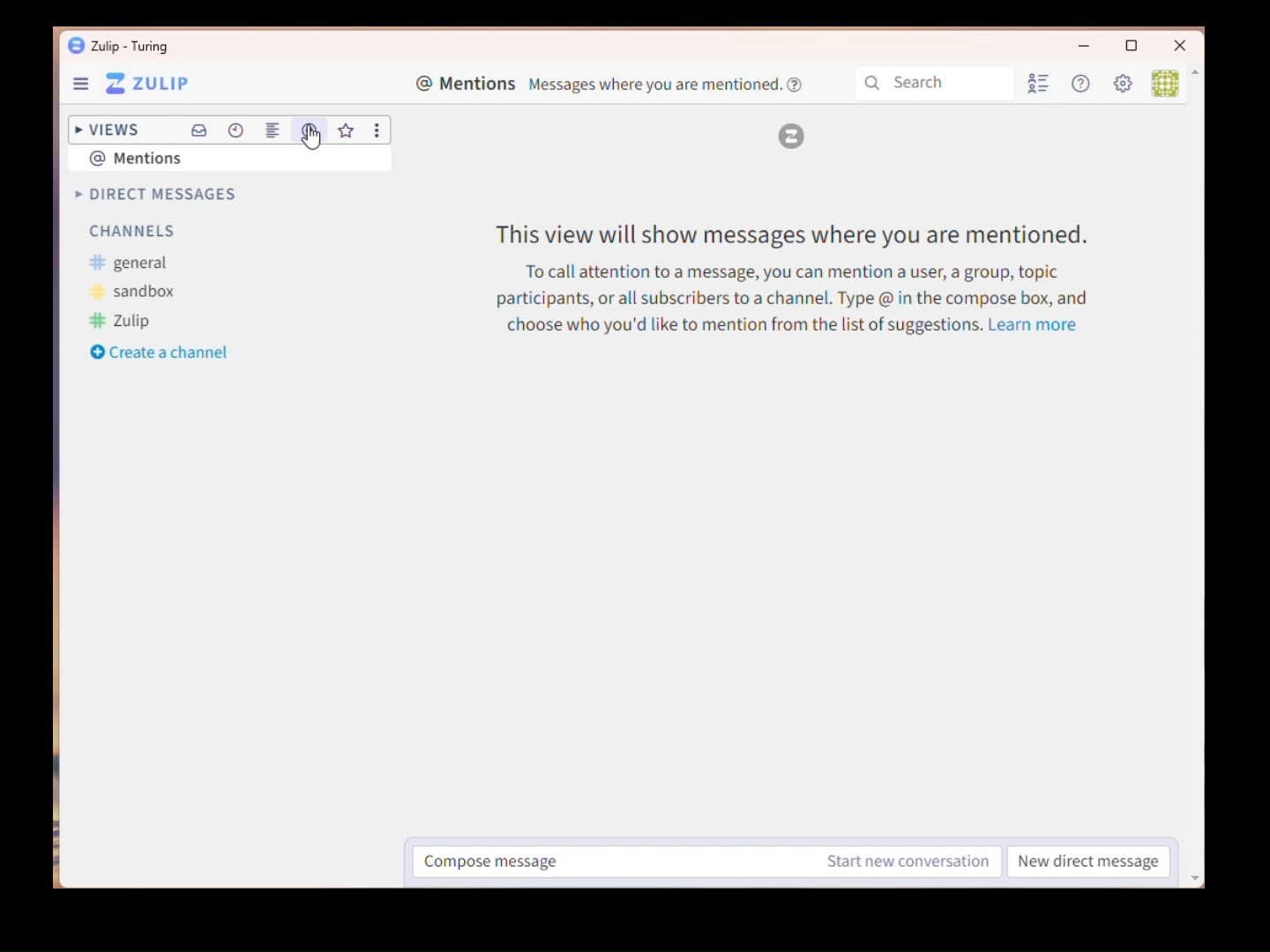 The height and width of the screenshot is (952, 1270). Describe the element at coordinates (308, 130) in the screenshot. I see `Mentions` at that location.